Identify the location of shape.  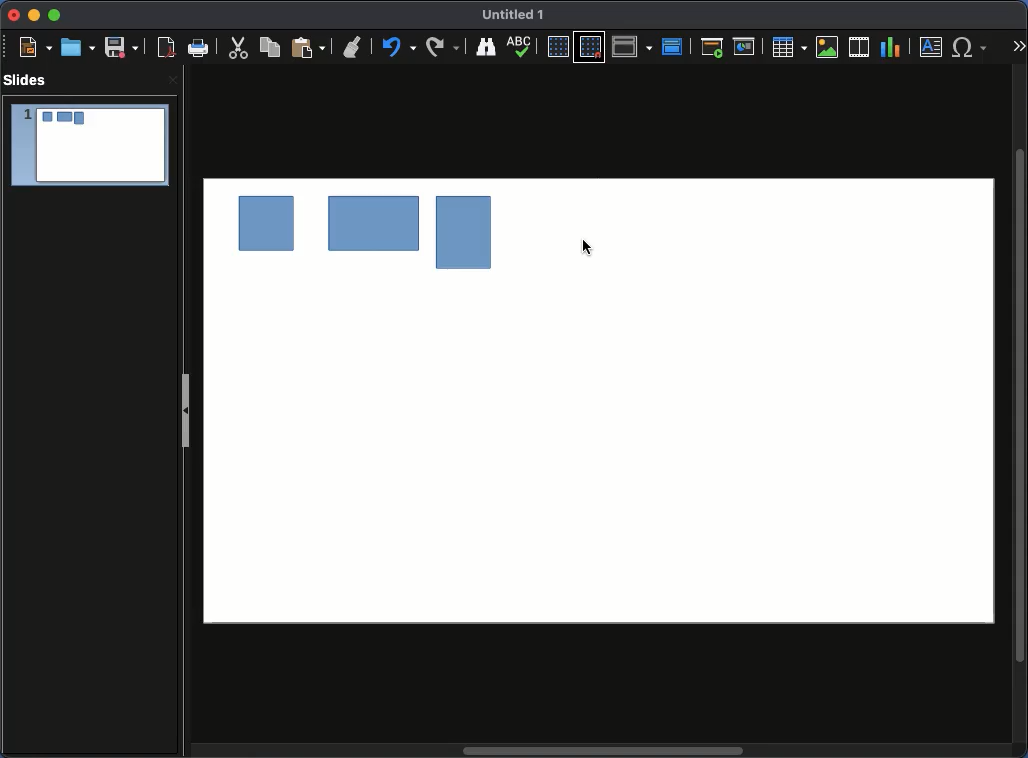
(268, 228).